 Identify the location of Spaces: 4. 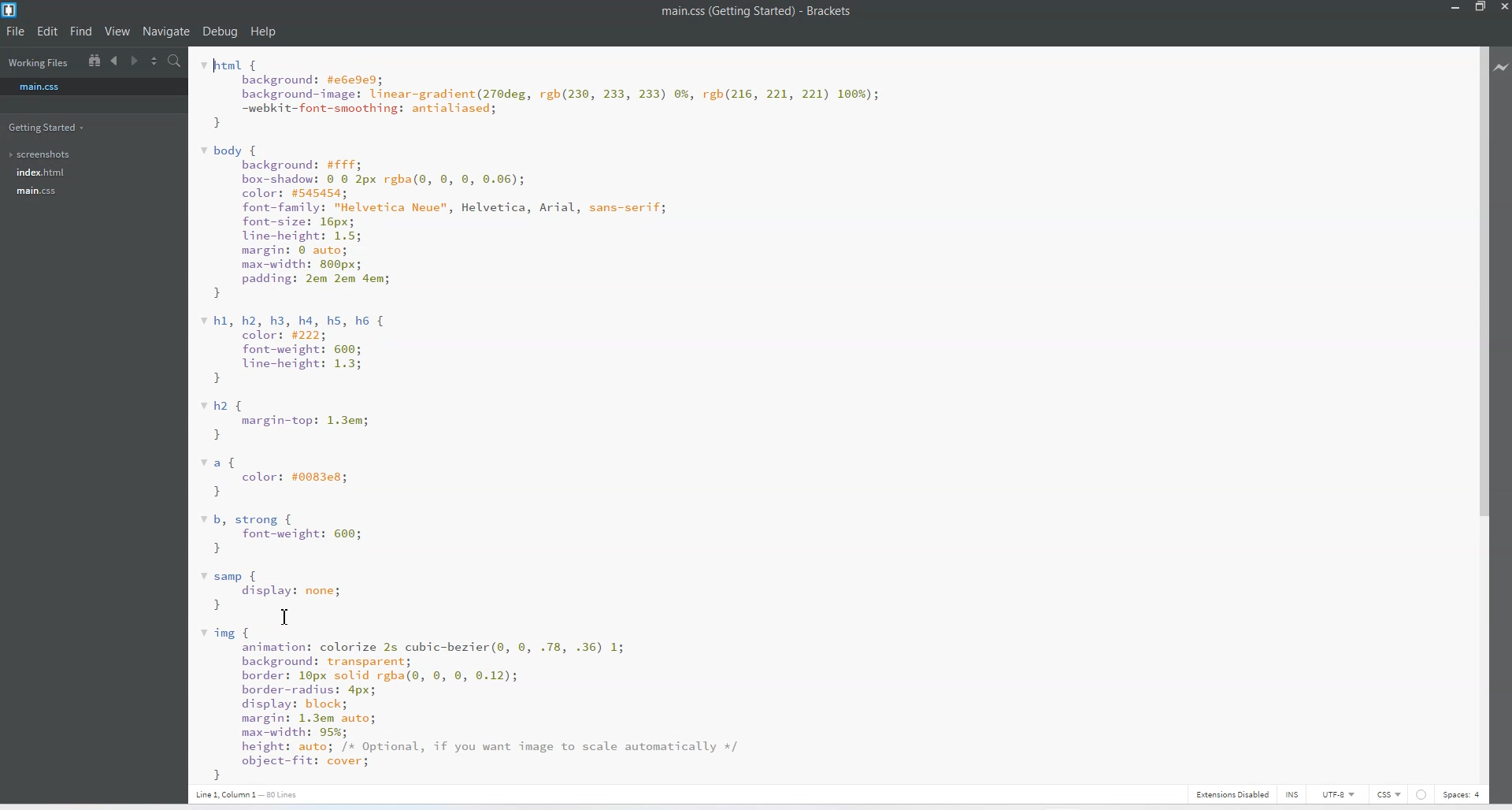
(1462, 794).